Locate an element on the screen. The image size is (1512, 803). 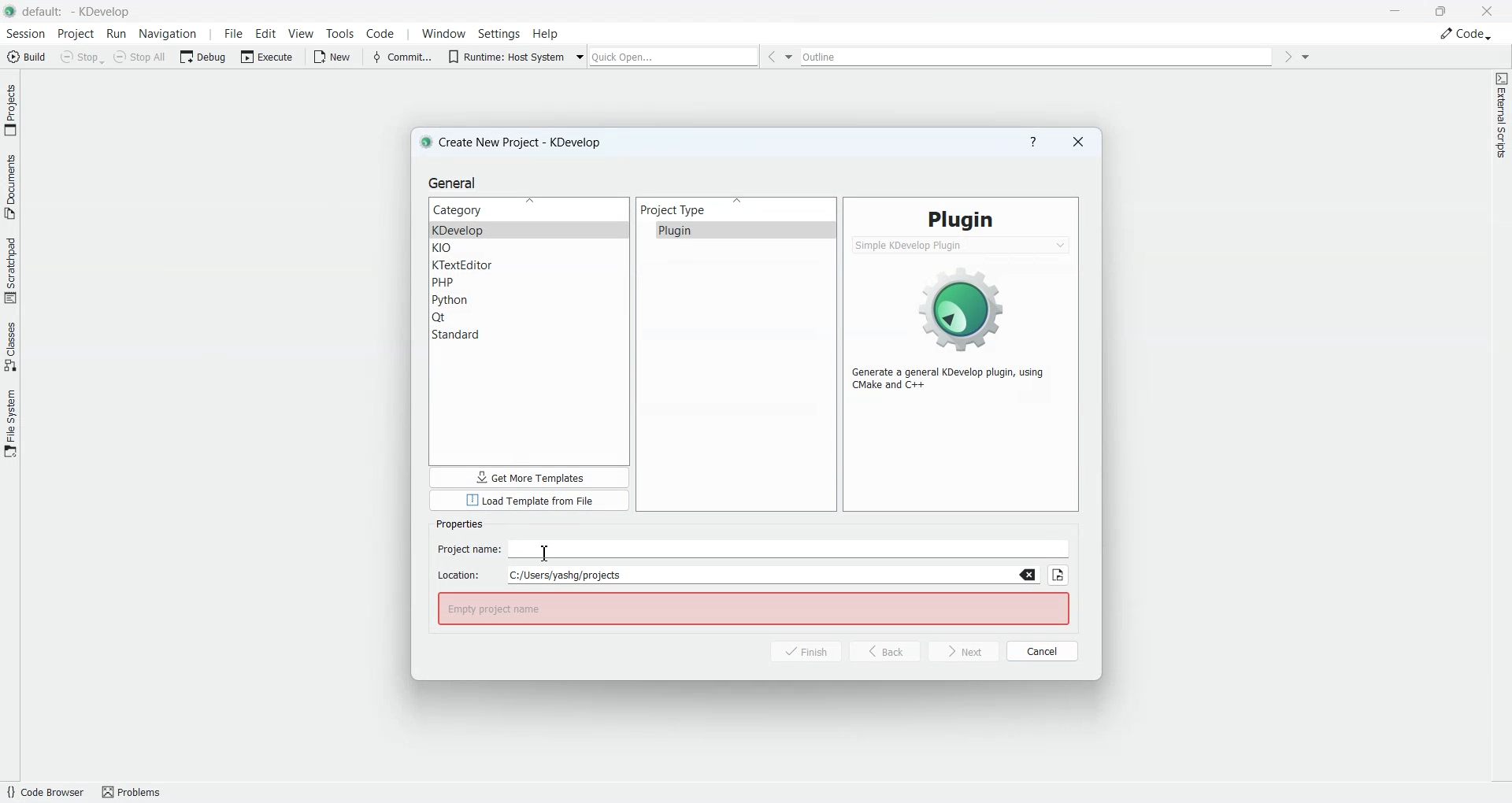
KTextEditor is located at coordinates (529, 265).